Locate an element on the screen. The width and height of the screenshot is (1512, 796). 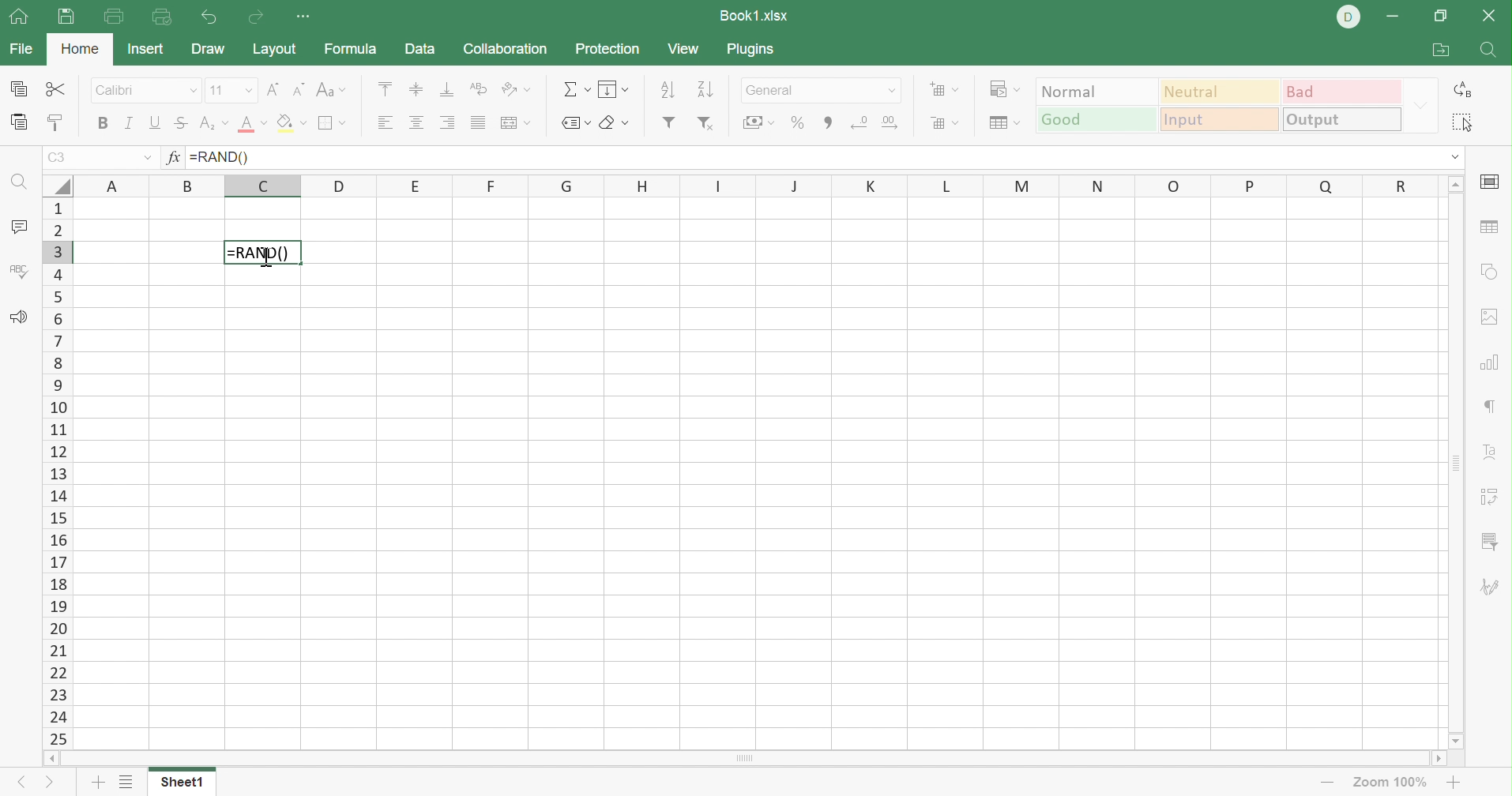
Decrease decimal is located at coordinates (860, 120).